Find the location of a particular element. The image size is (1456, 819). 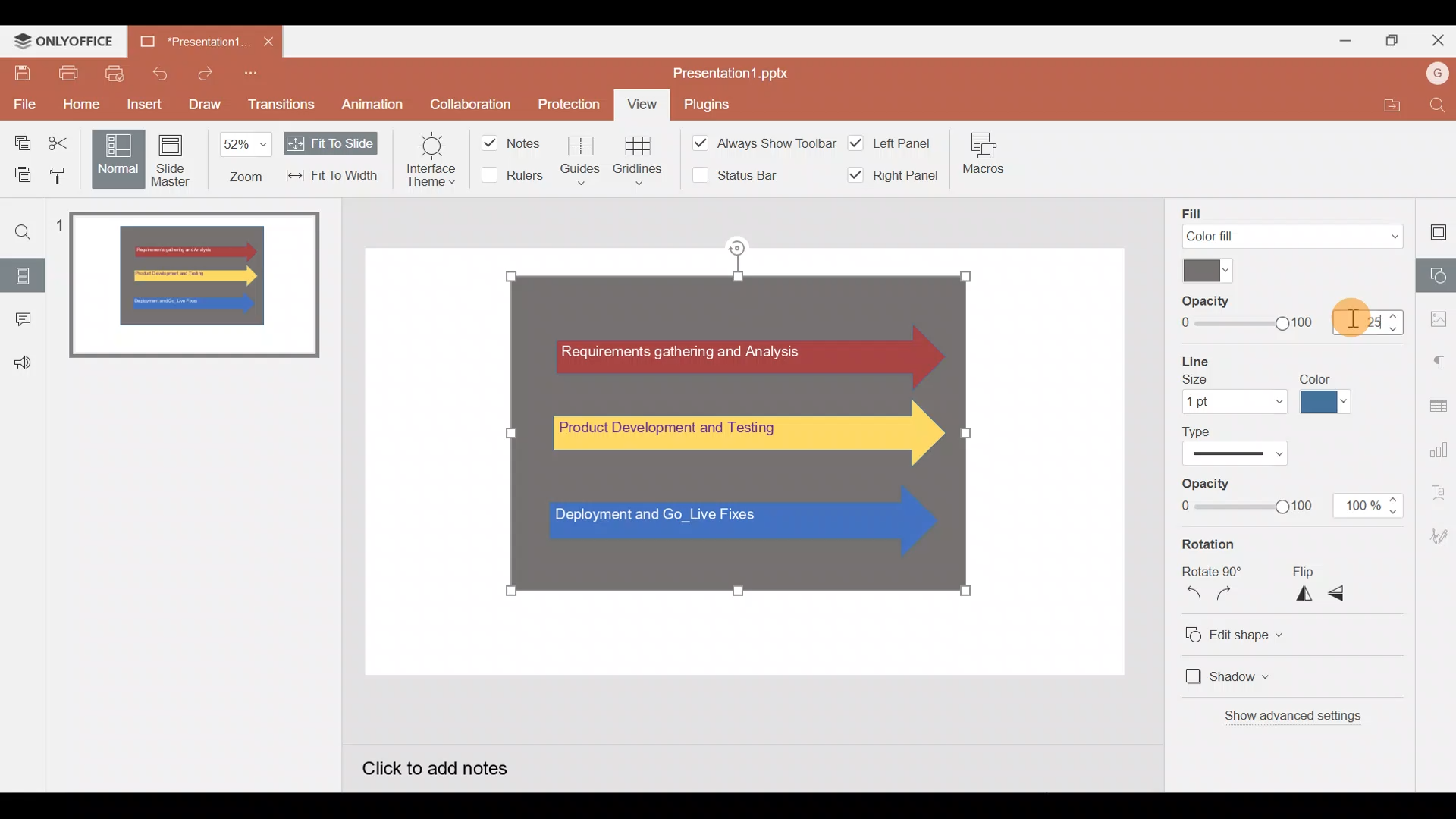

Slide settings is located at coordinates (1434, 231).